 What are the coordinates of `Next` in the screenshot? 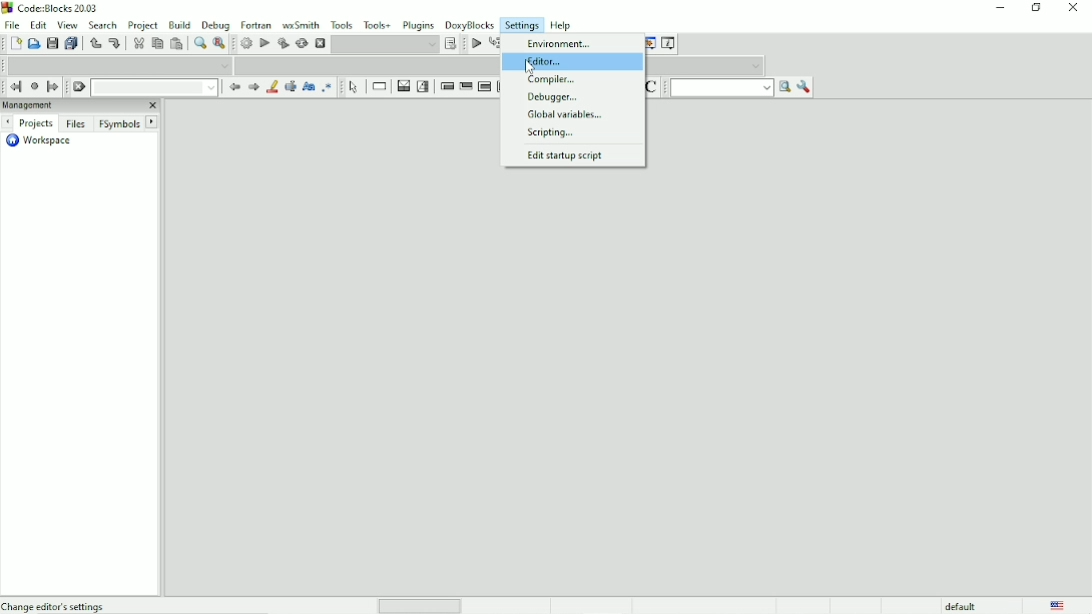 It's located at (253, 87).